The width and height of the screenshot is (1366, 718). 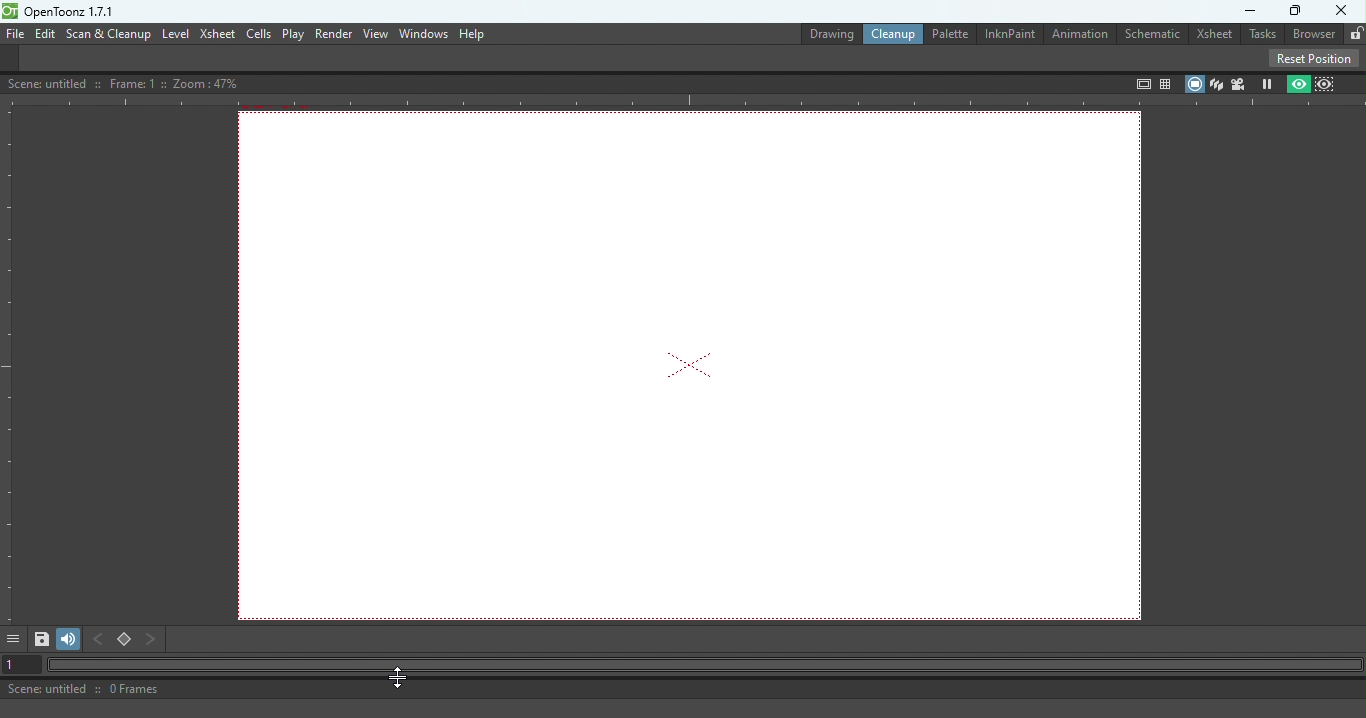 I want to click on Play, so click(x=293, y=34).